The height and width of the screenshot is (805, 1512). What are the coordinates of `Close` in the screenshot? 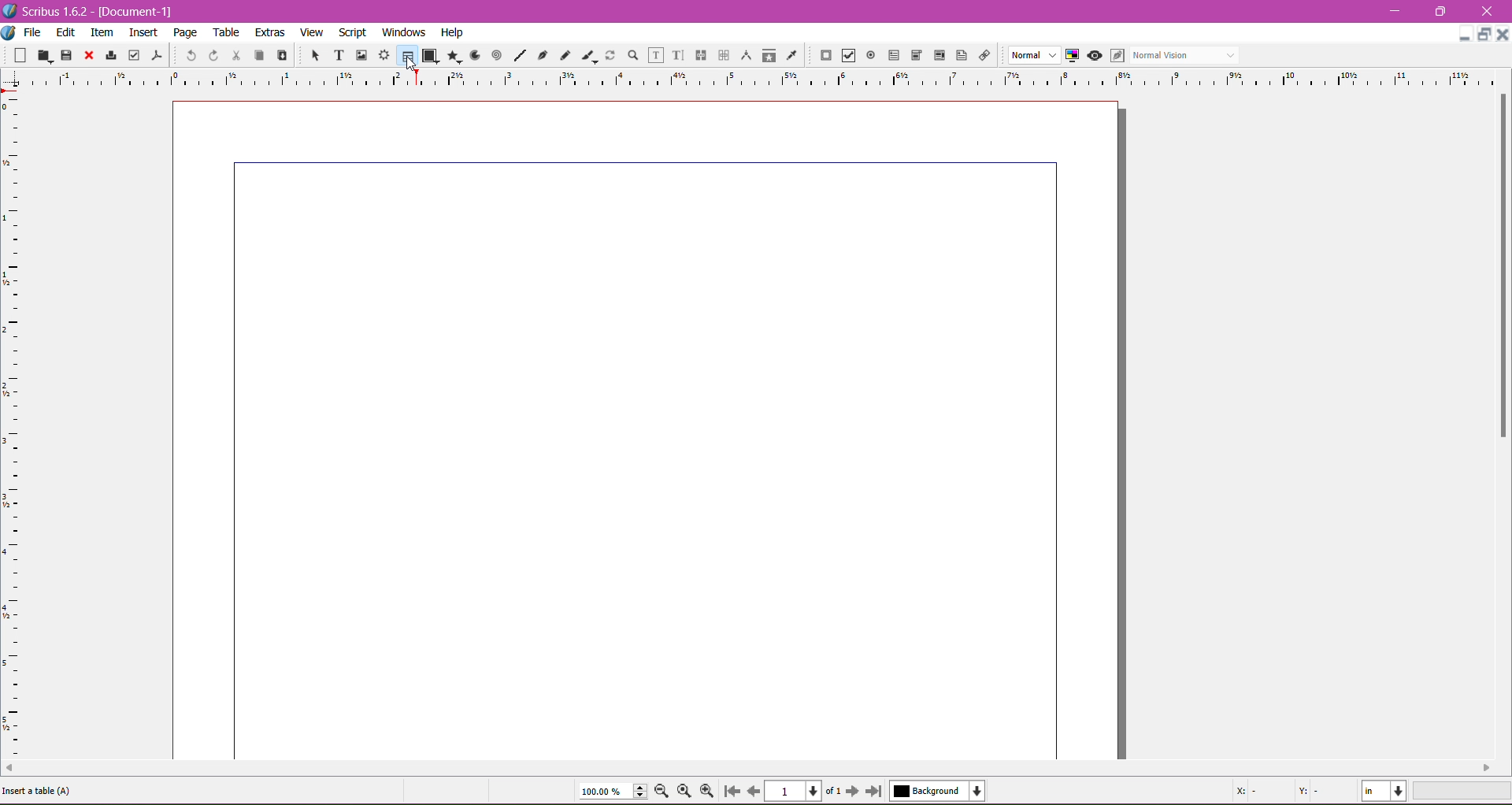 It's located at (1503, 33).